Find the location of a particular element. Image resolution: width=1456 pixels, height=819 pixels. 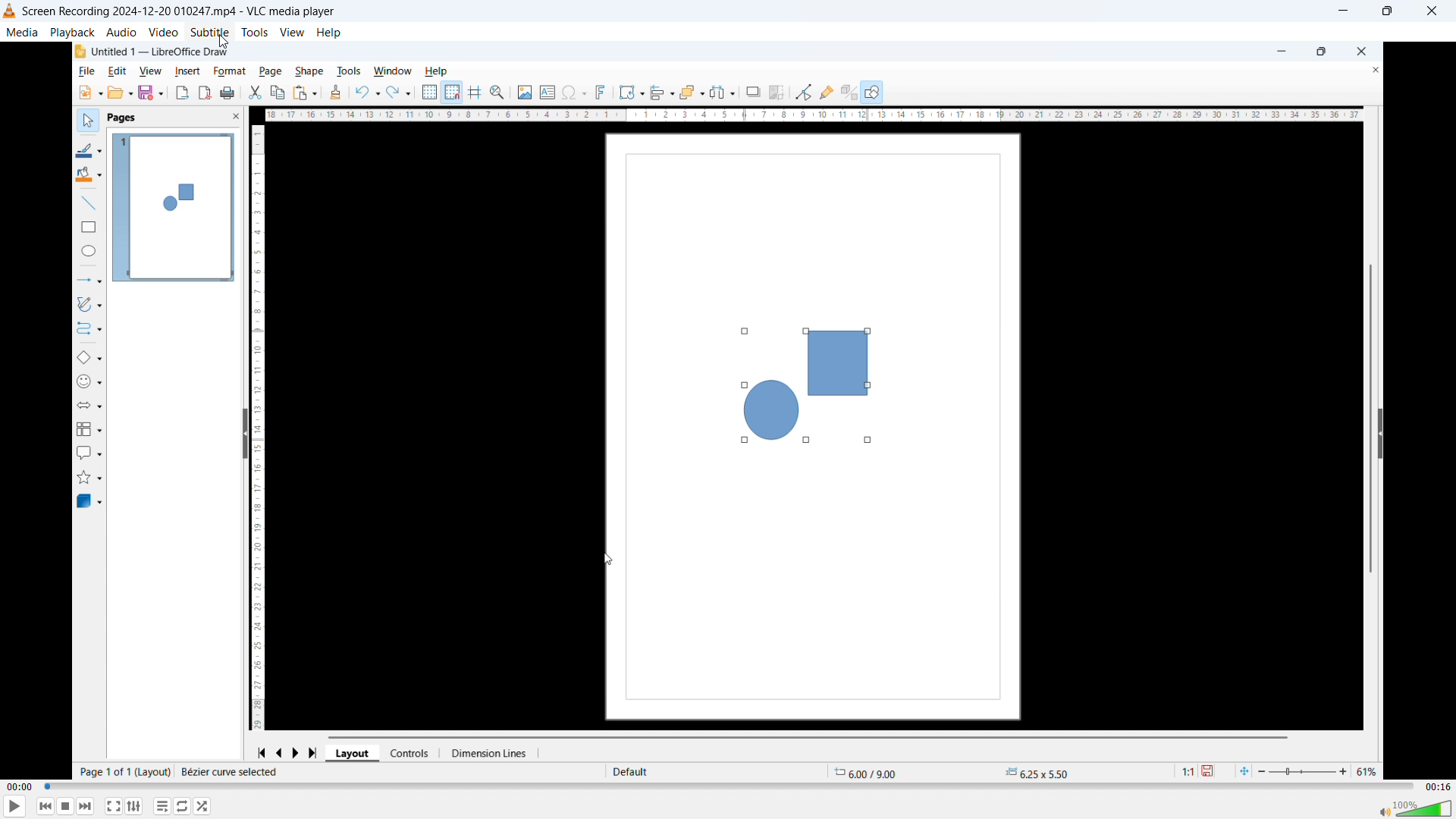

Video  is located at coordinates (163, 32).